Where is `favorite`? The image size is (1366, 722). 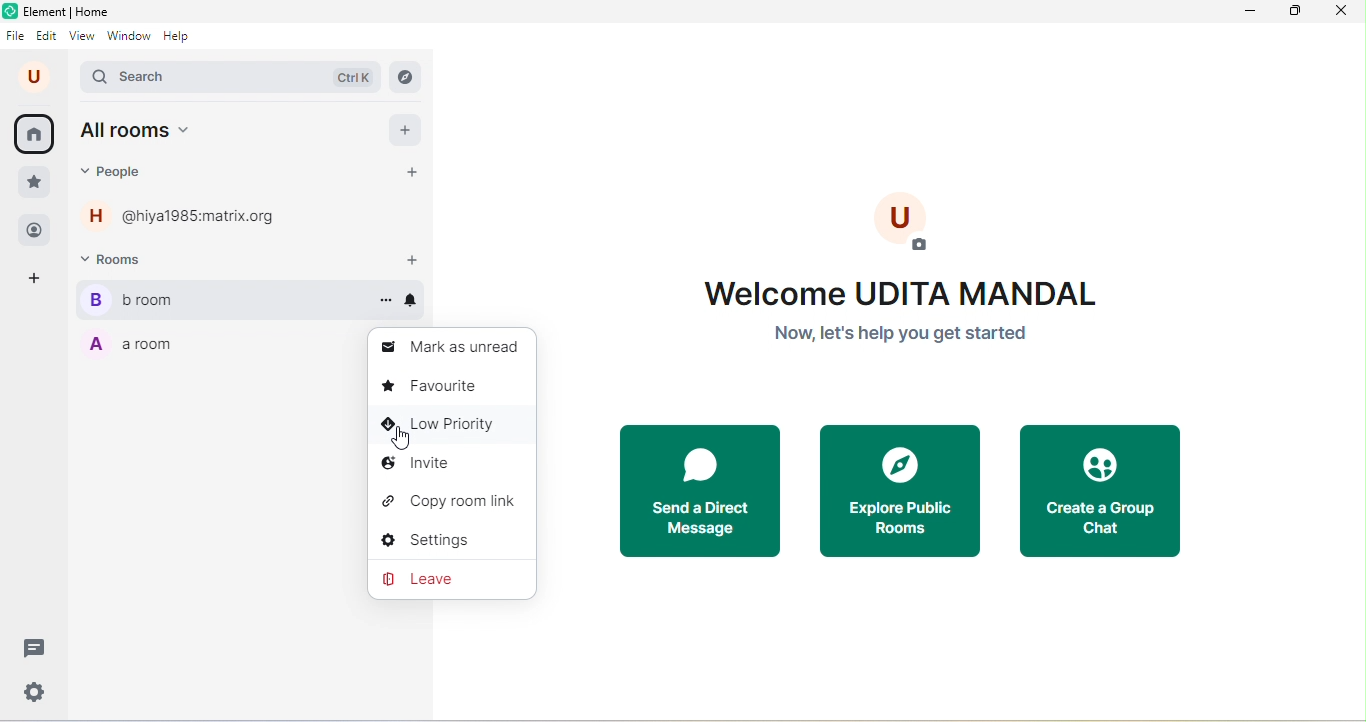 favorite is located at coordinates (37, 186).